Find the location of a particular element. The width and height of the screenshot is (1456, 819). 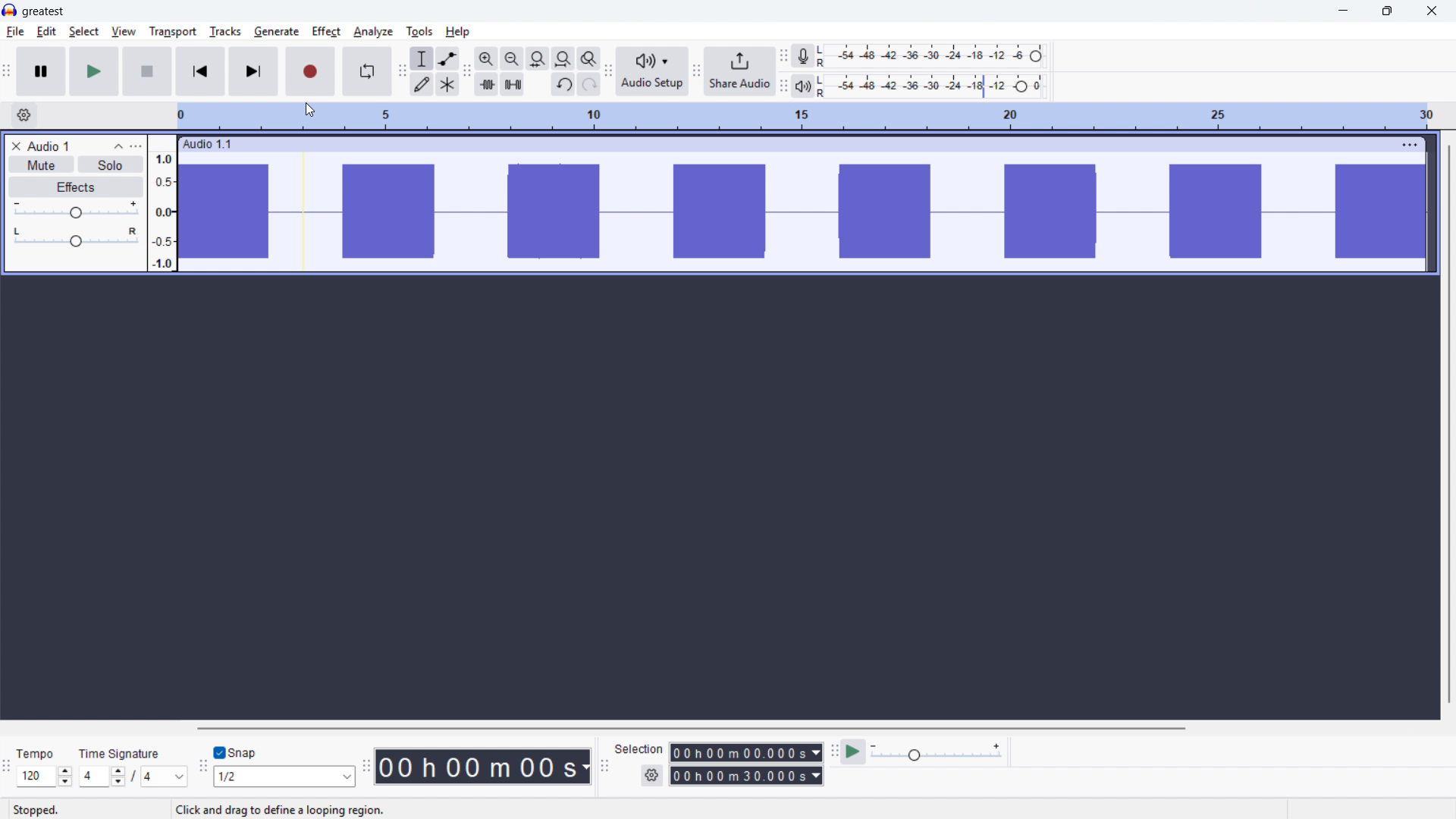

help is located at coordinates (458, 32).